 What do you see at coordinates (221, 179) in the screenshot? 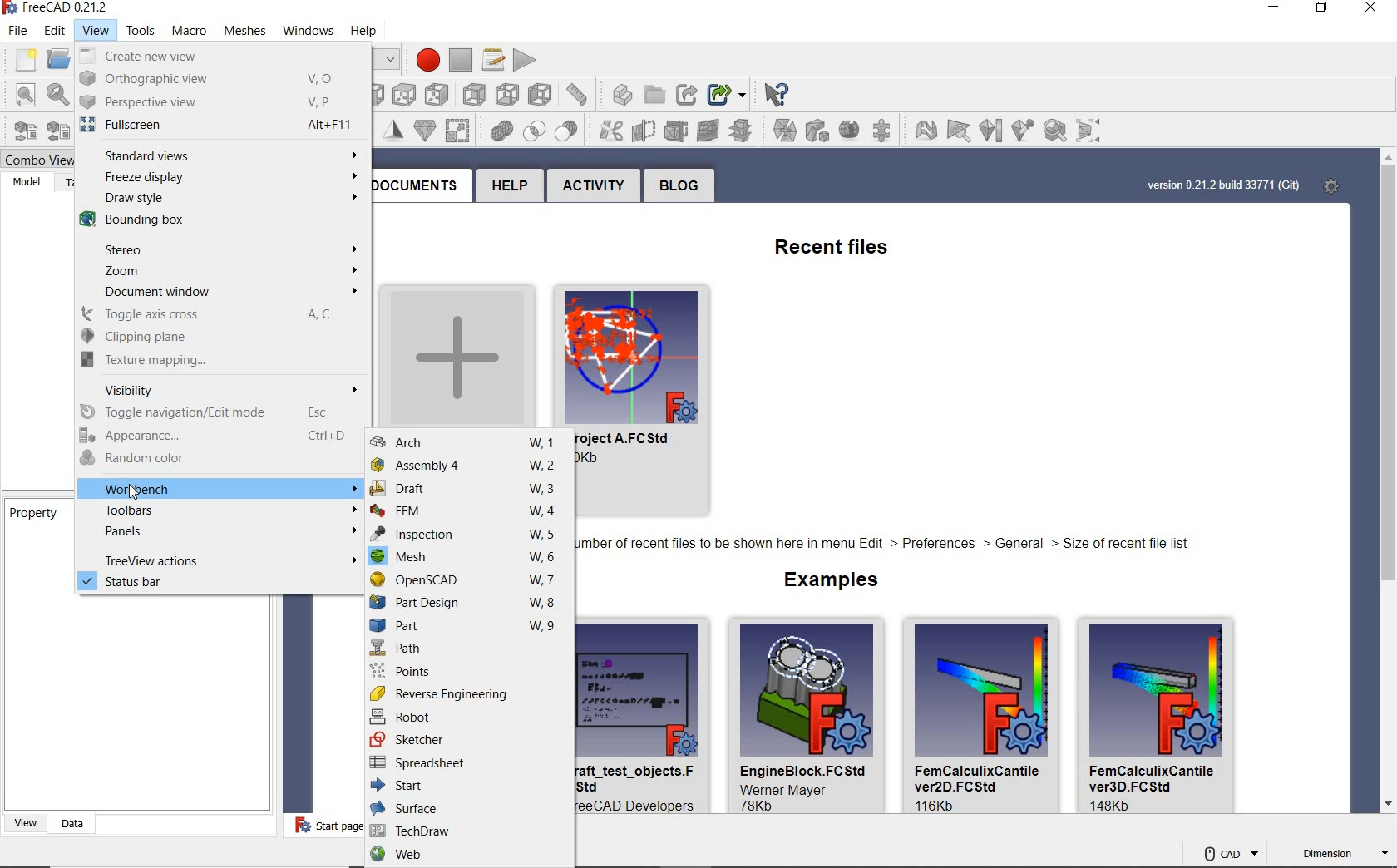
I see `freeze display` at bounding box center [221, 179].